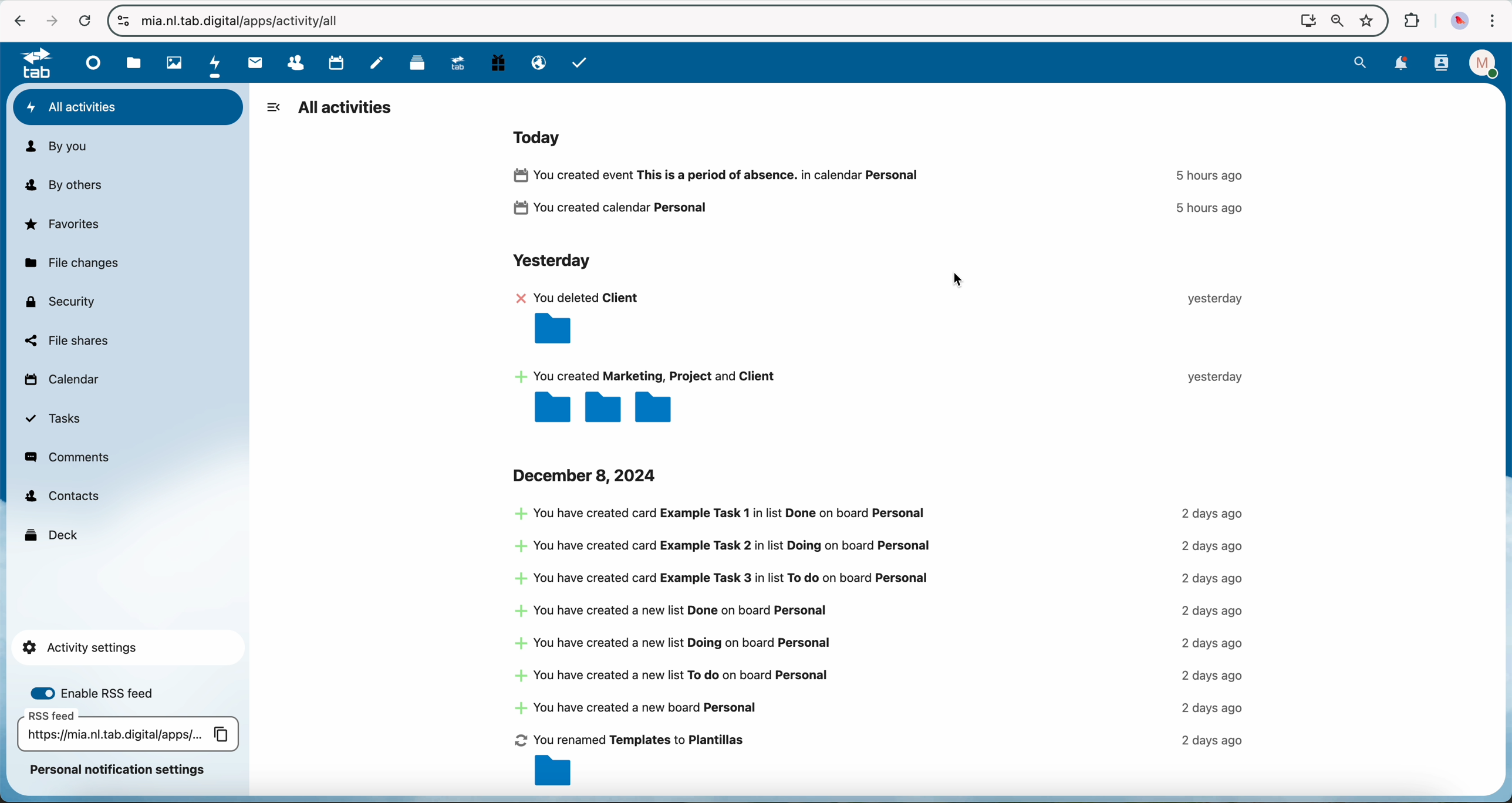 This screenshot has height=803, width=1512. I want to click on yesterday, so click(550, 262).